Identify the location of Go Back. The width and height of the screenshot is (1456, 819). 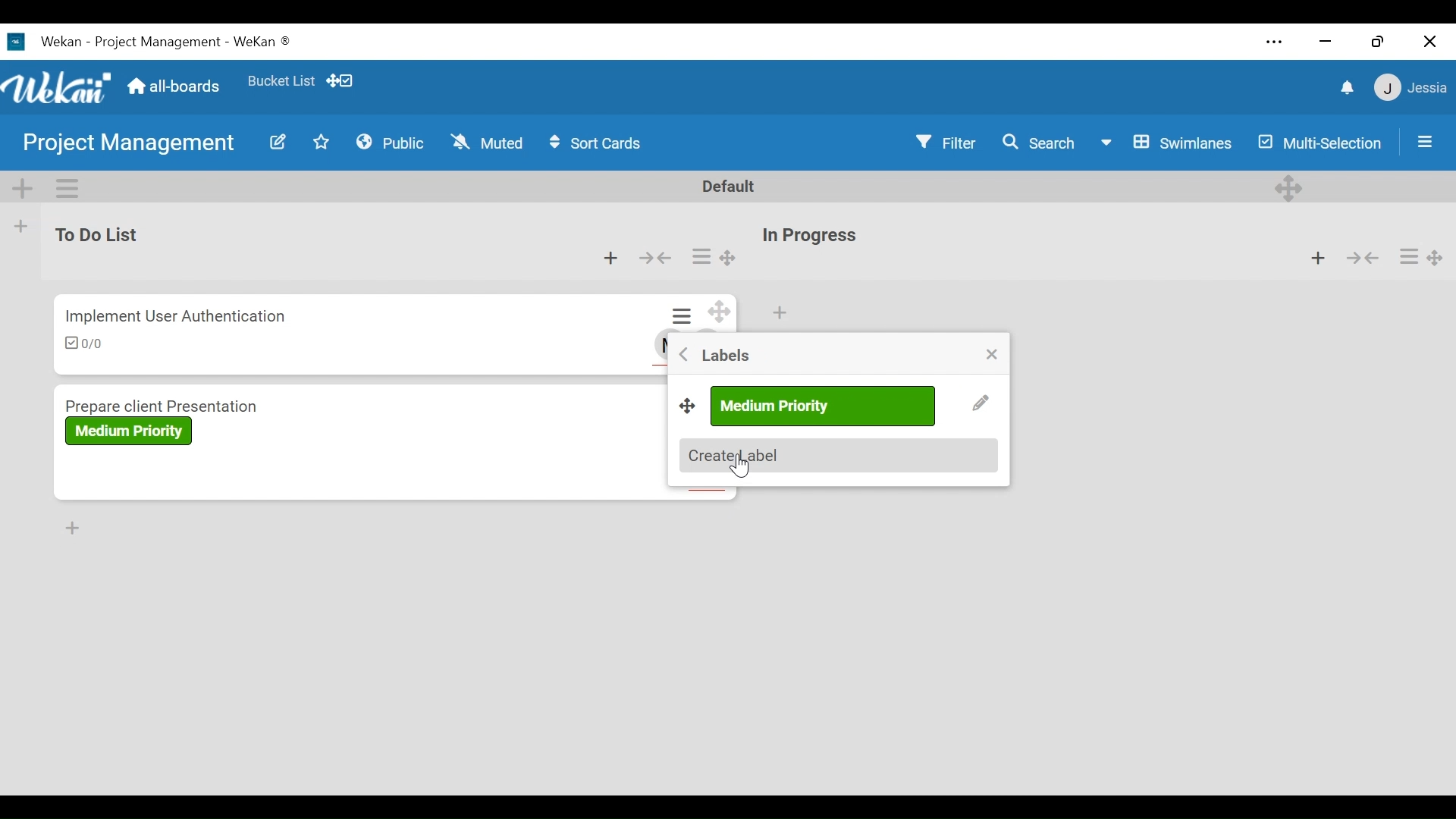
(682, 353).